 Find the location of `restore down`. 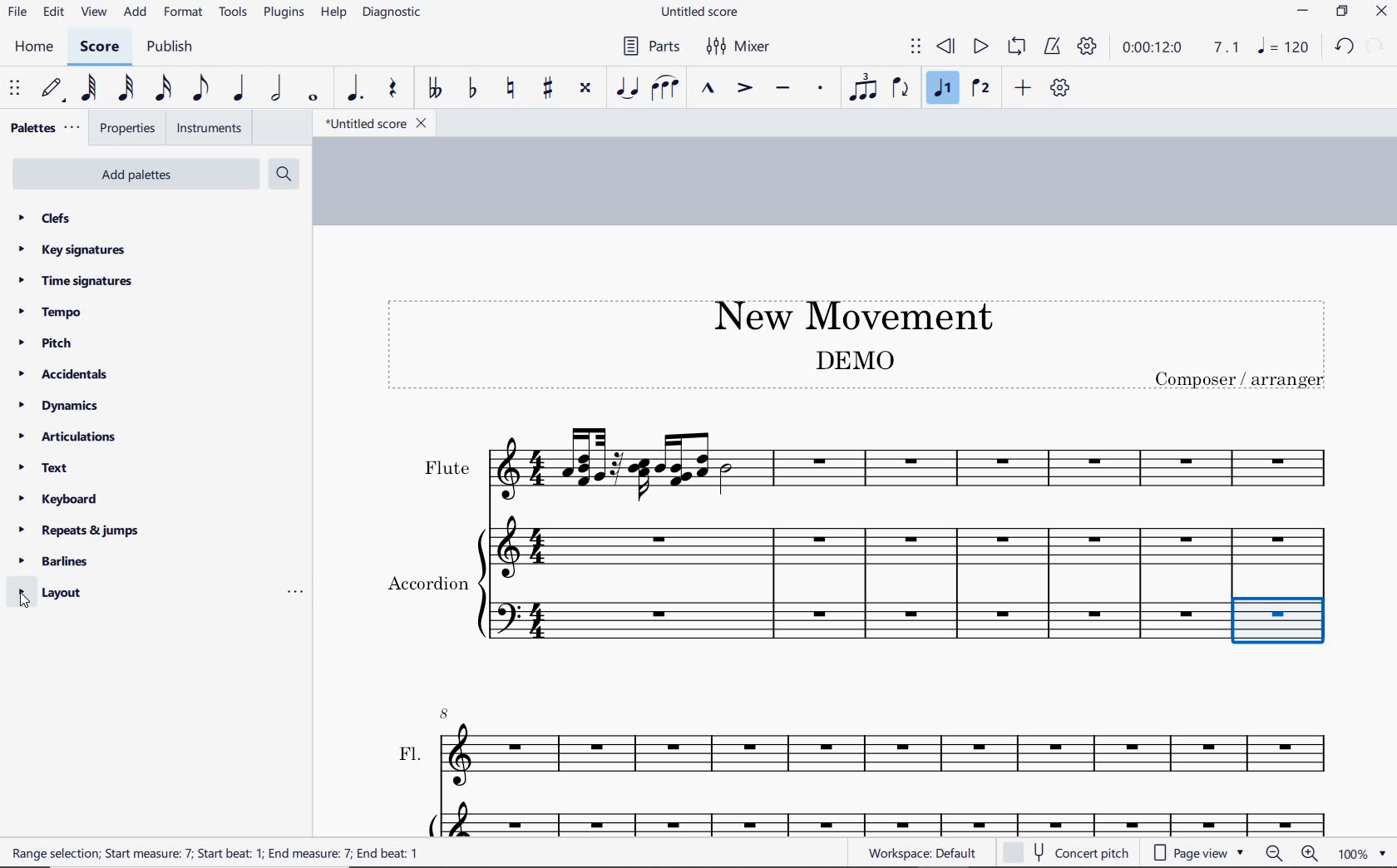

restore down is located at coordinates (1343, 12).